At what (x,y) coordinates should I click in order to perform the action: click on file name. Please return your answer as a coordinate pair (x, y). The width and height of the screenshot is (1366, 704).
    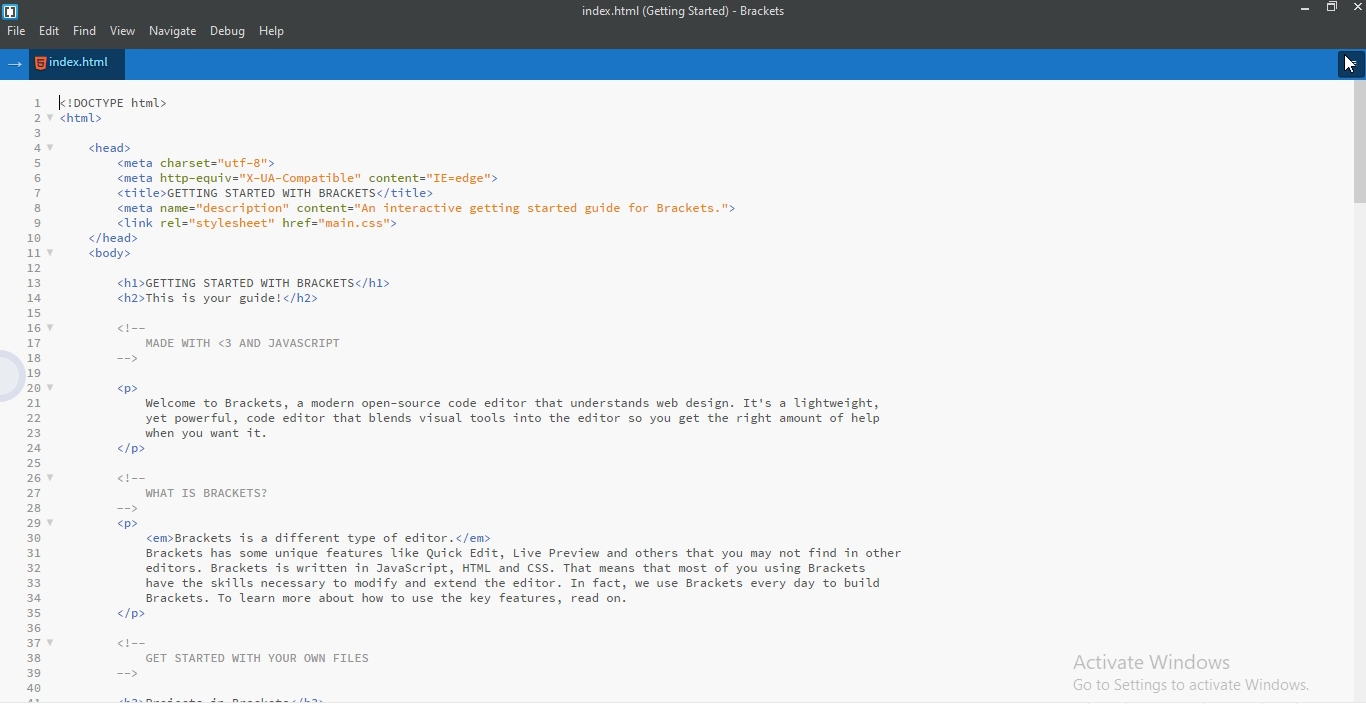
    Looking at the image, I should click on (77, 63).